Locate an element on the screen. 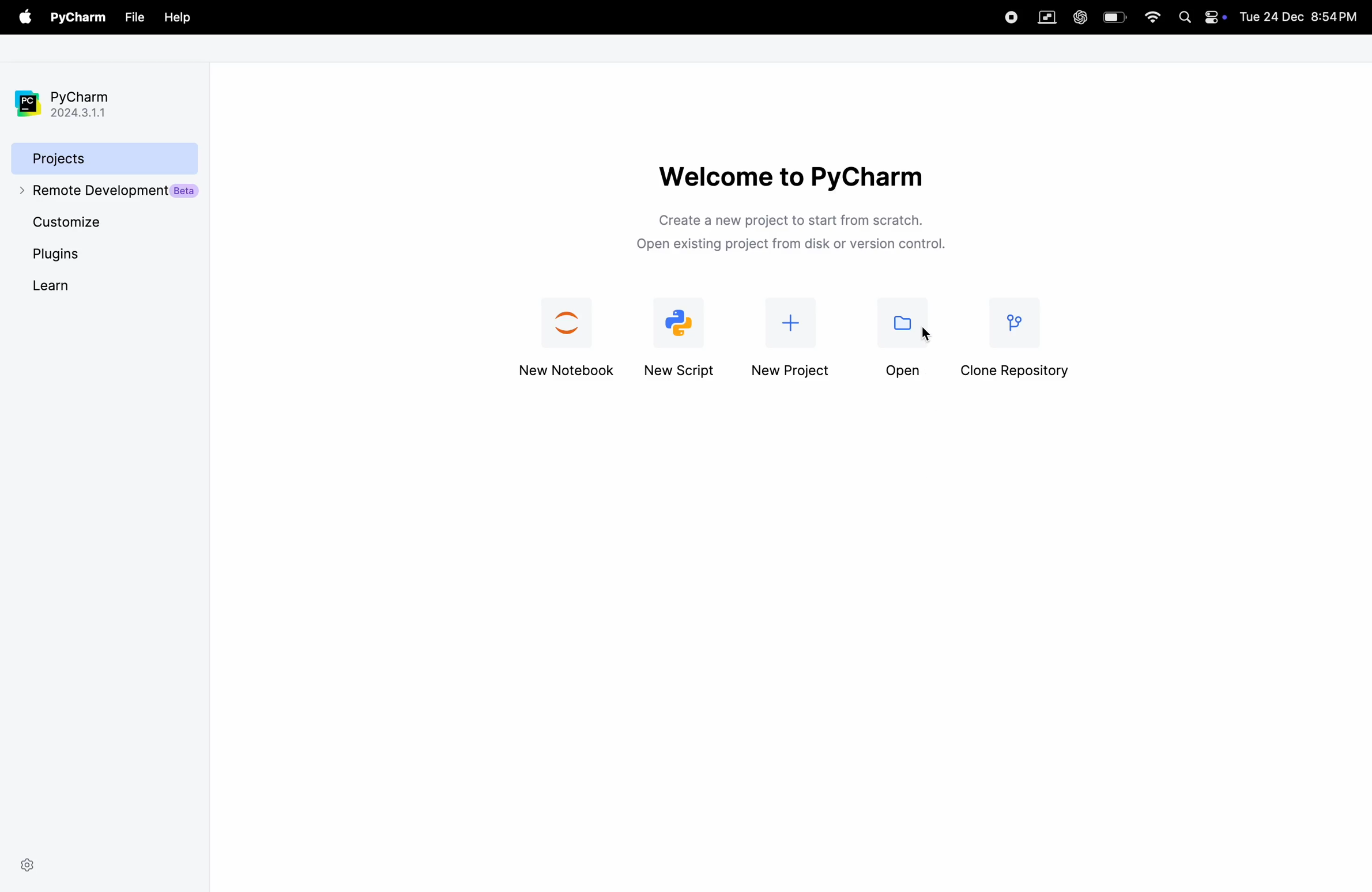 Image resolution: width=1372 pixels, height=892 pixels. cursor is located at coordinates (926, 330).